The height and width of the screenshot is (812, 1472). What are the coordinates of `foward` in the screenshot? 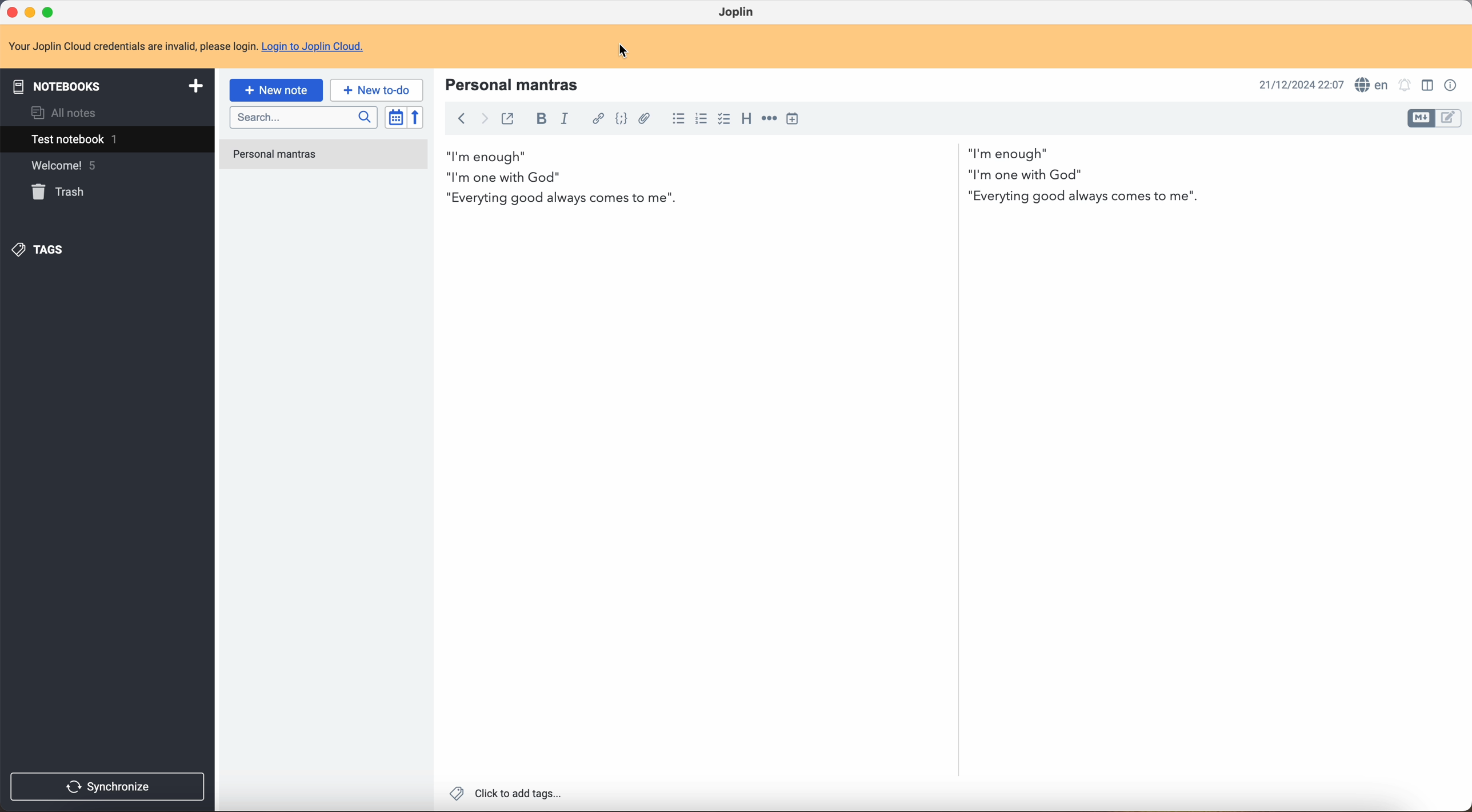 It's located at (485, 118).